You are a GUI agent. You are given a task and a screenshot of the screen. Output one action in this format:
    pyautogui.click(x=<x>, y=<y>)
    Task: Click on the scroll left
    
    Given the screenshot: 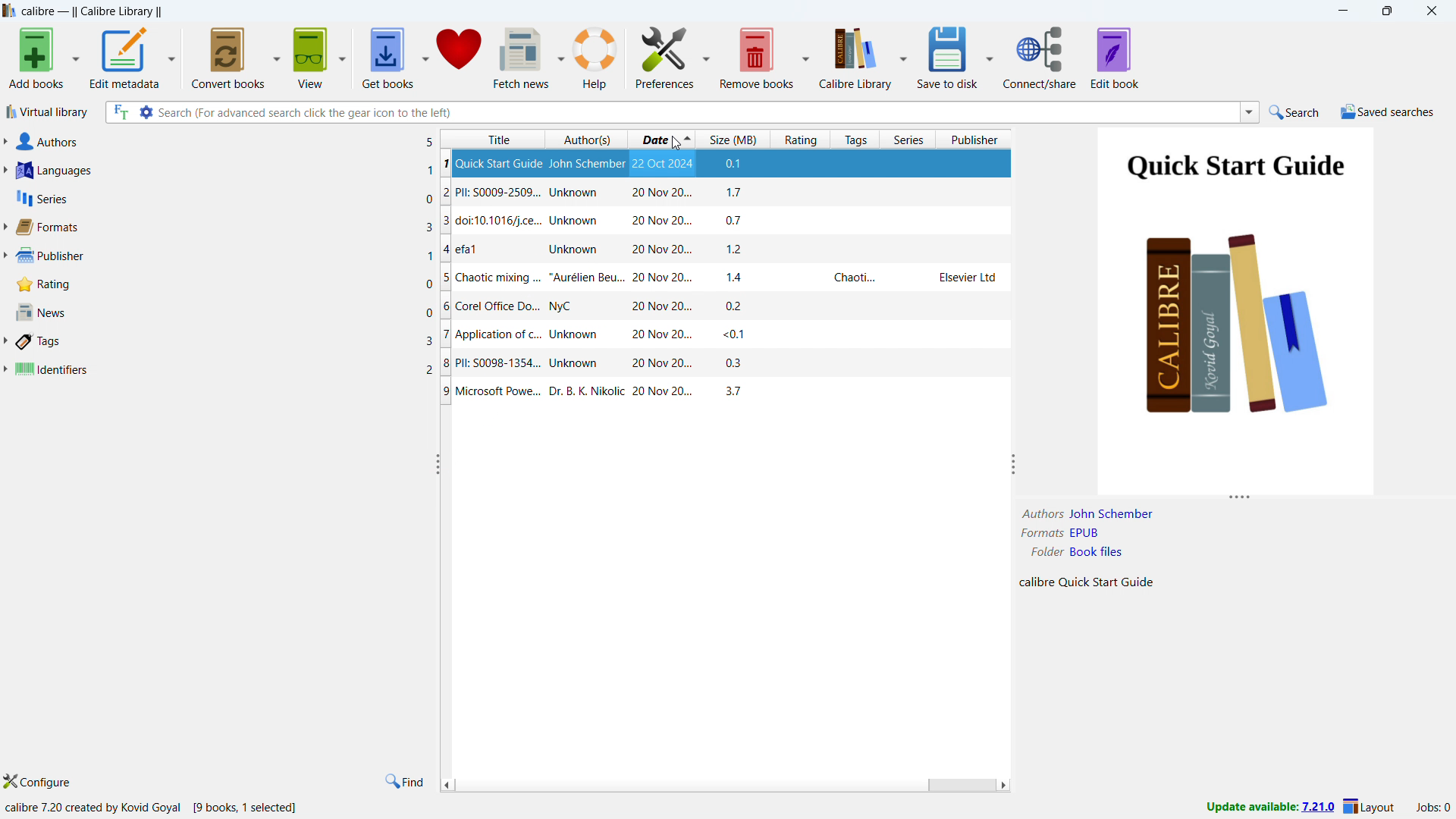 What is the action you would take?
    pyautogui.click(x=447, y=784)
    